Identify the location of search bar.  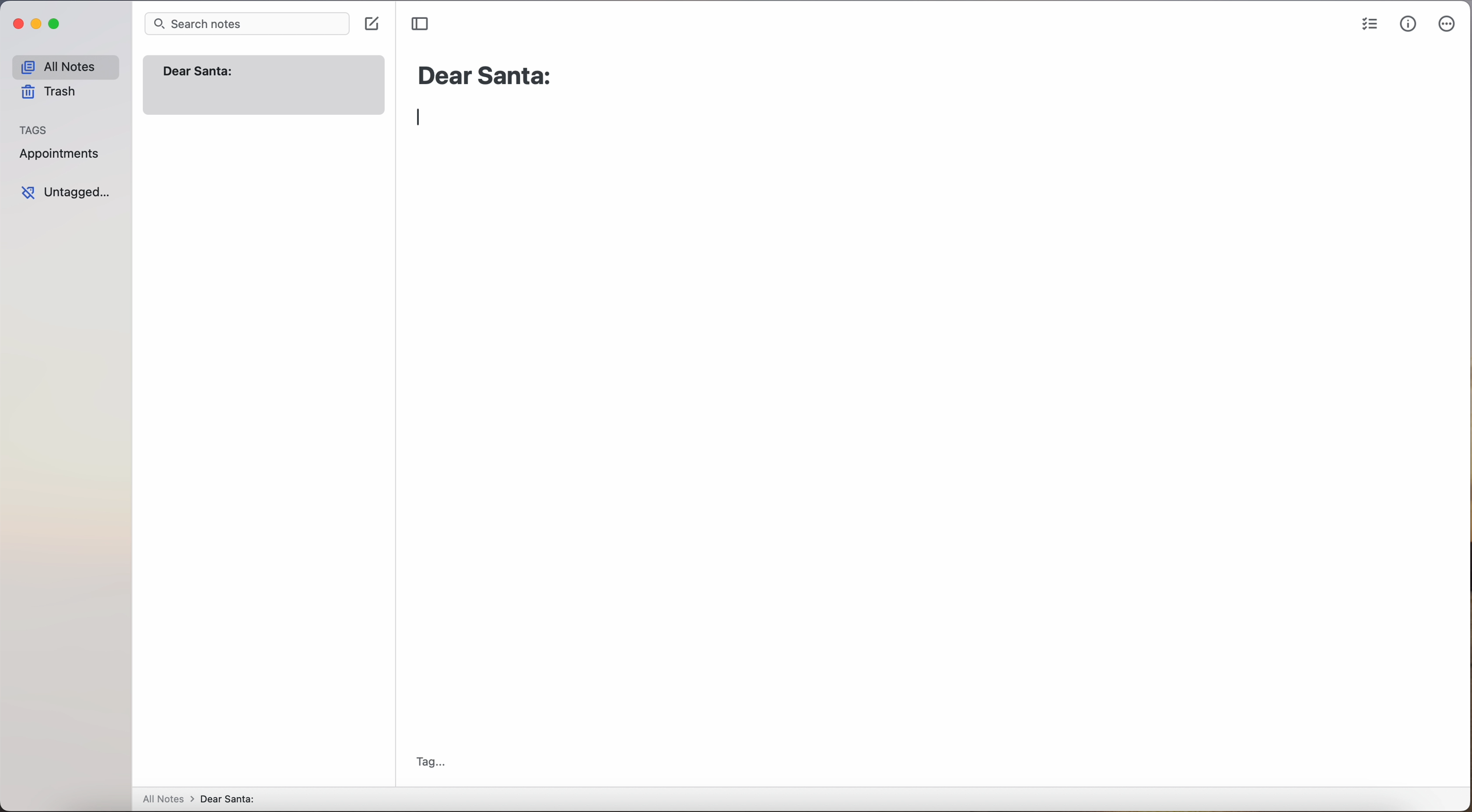
(246, 24).